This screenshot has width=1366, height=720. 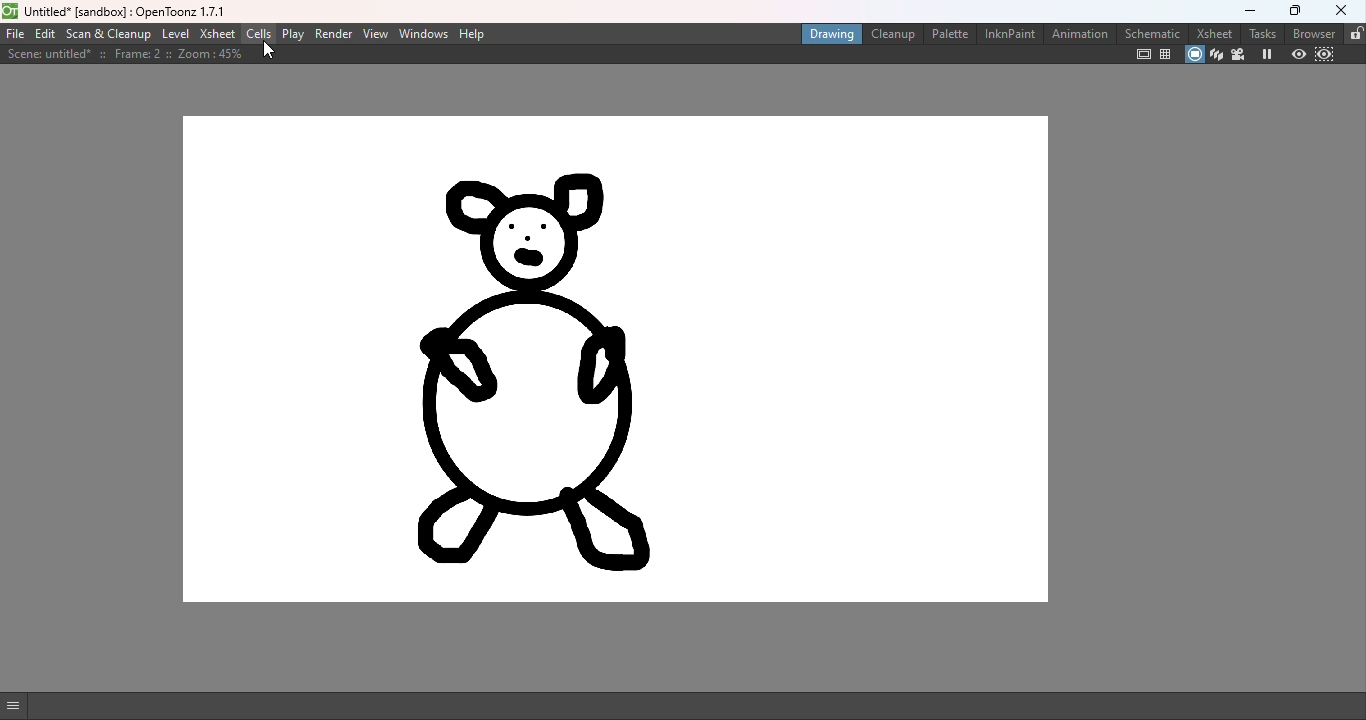 I want to click on XSheet, so click(x=215, y=33).